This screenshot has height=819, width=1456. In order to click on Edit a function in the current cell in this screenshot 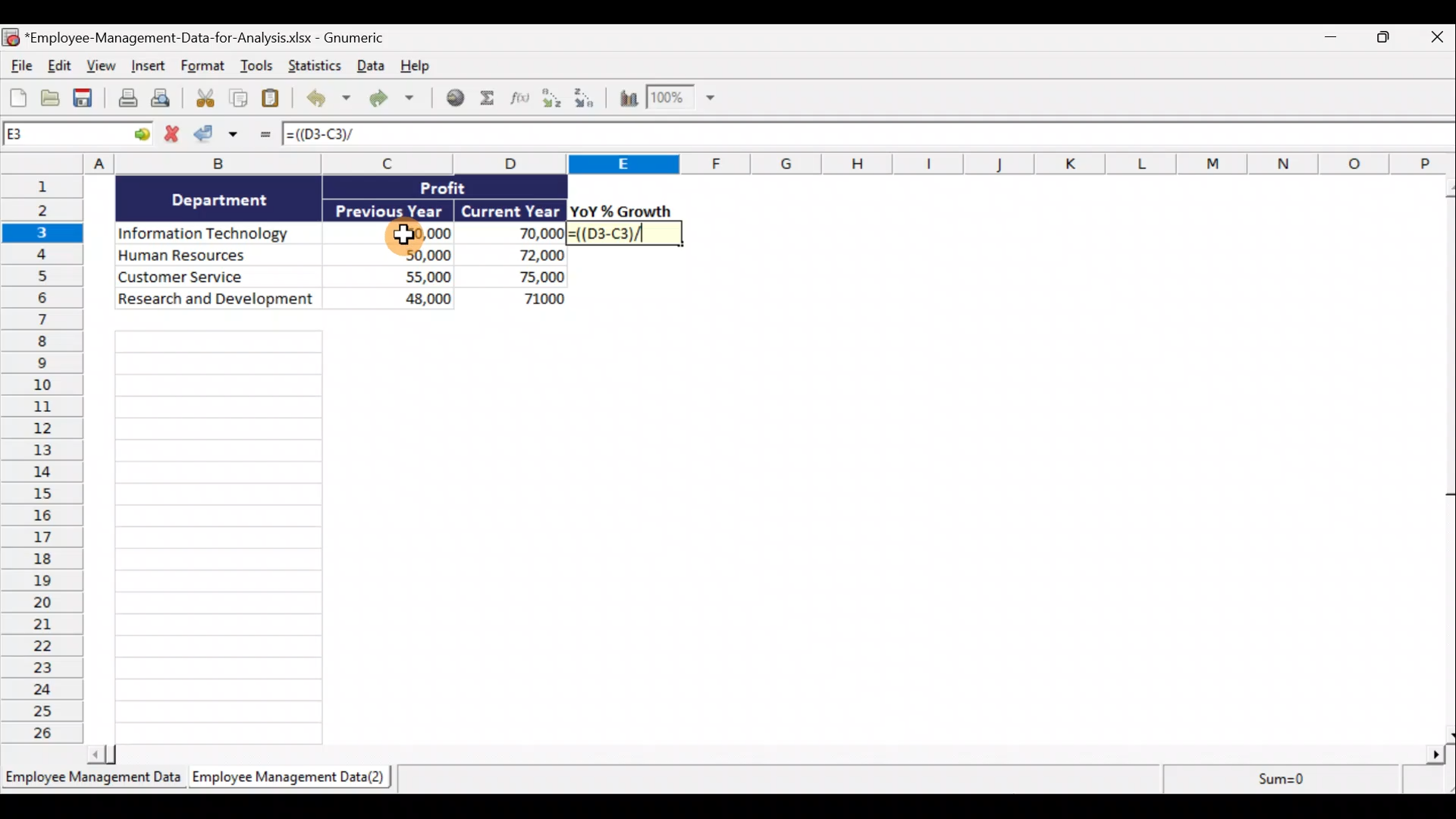, I will do `click(524, 102)`.